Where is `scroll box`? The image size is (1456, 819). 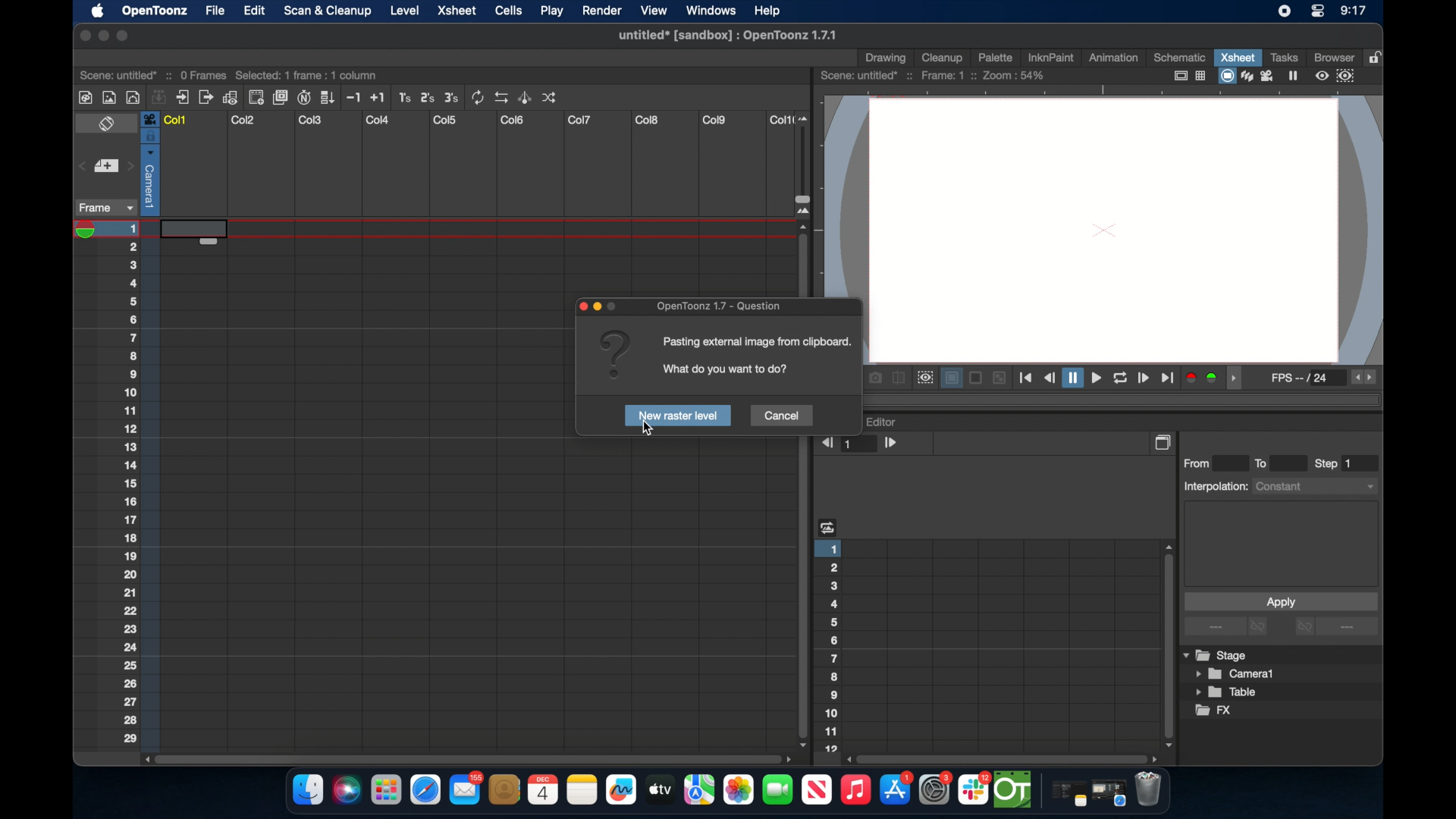
scroll box is located at coordinates (801, 596).